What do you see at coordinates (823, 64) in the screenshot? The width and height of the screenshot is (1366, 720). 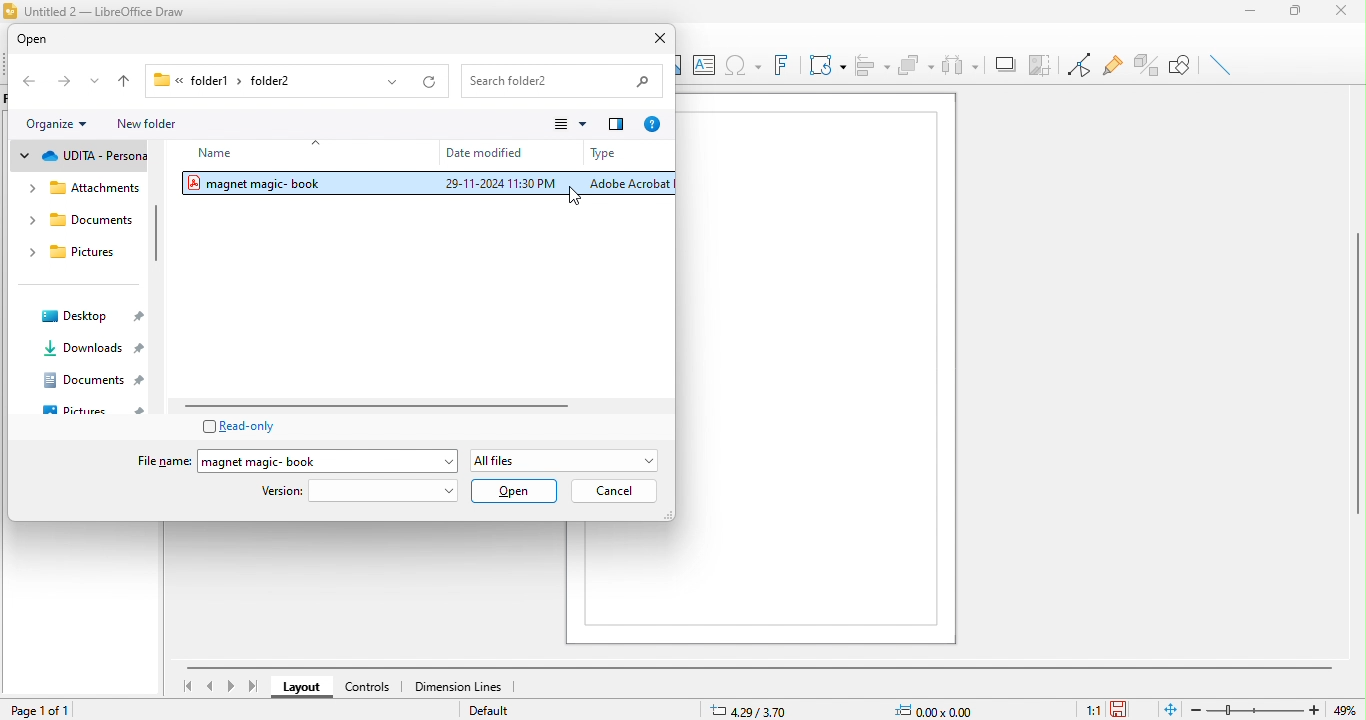 I see `transformation` at bounding box center [823, 64].